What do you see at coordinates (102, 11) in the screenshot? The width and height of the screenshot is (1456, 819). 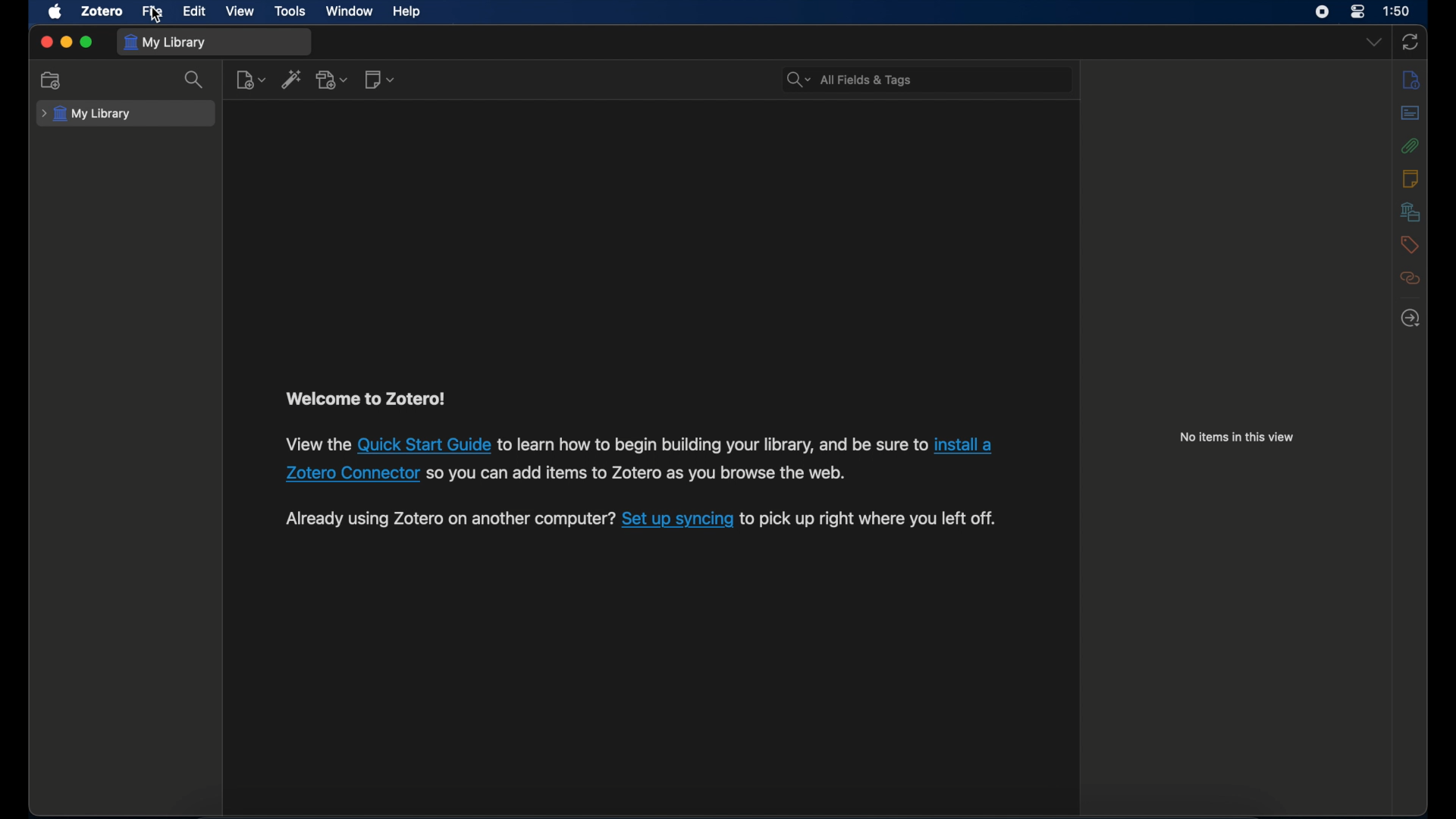 I see `zotero` at bounding box center [102, 11].